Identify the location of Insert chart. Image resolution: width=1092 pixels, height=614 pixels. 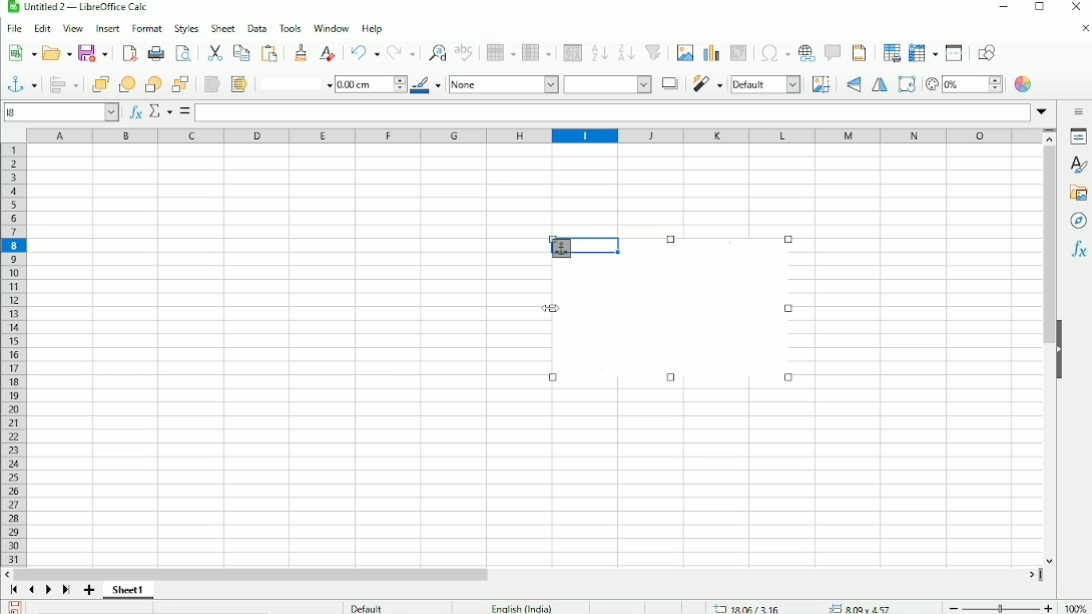
(710, 52).